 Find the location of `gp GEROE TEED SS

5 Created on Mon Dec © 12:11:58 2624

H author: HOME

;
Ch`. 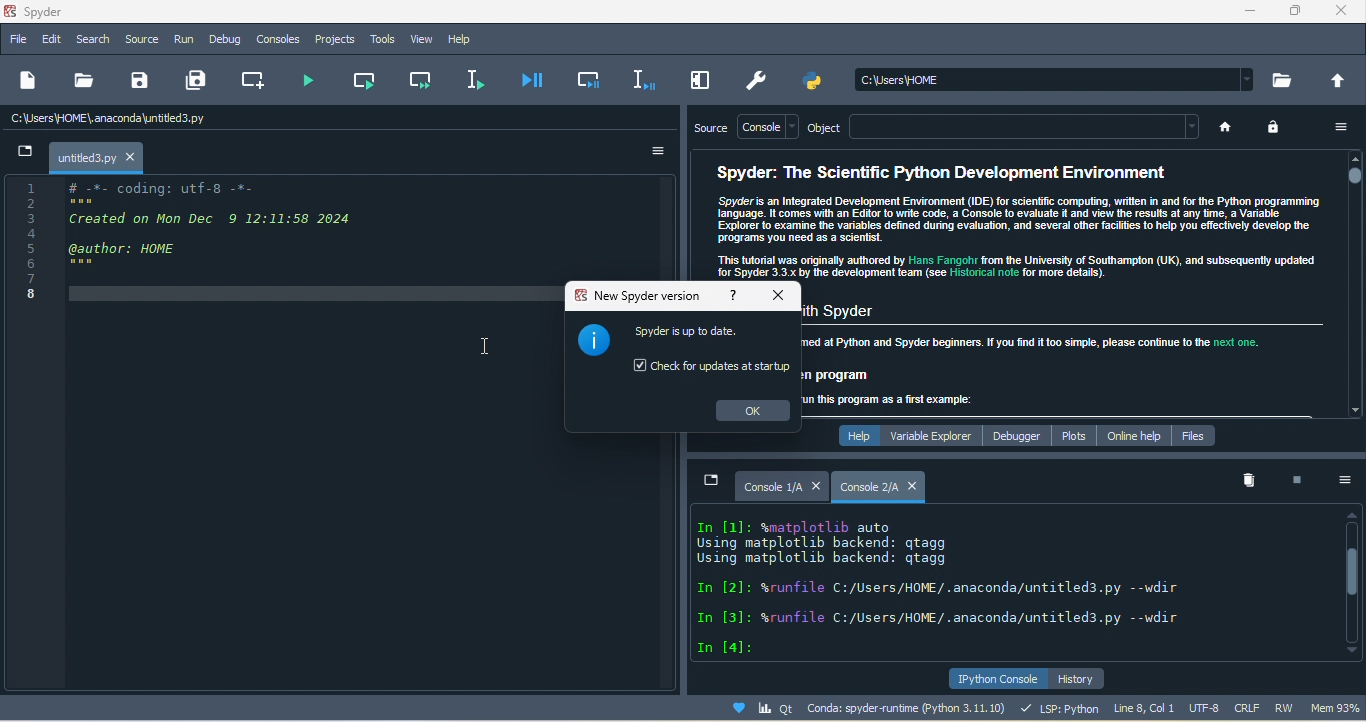

gp GEROE TEED SS

5 Created on Mon Dec © 12:11:58 2624

H author: HOME

;
Ch is located at coordinates (234, 248).